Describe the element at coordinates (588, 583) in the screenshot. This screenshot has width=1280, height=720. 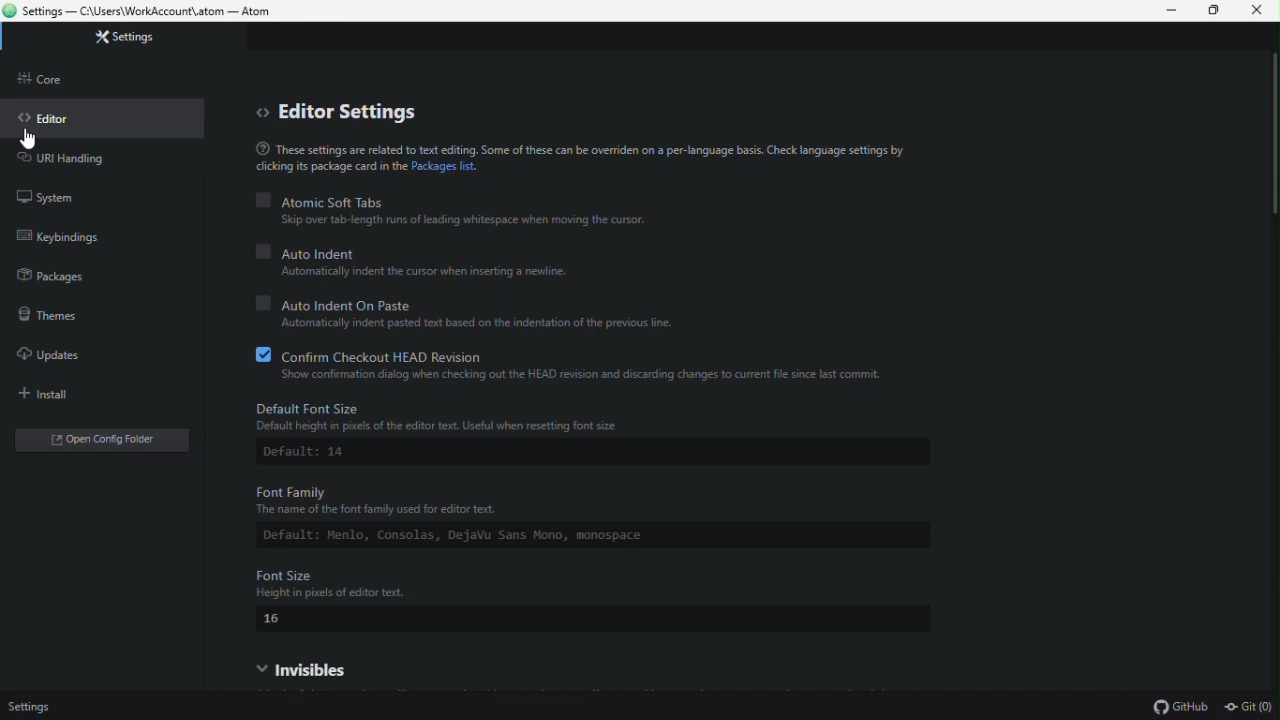
I see `Font Size
Height in pixels of editor text,` at that location.